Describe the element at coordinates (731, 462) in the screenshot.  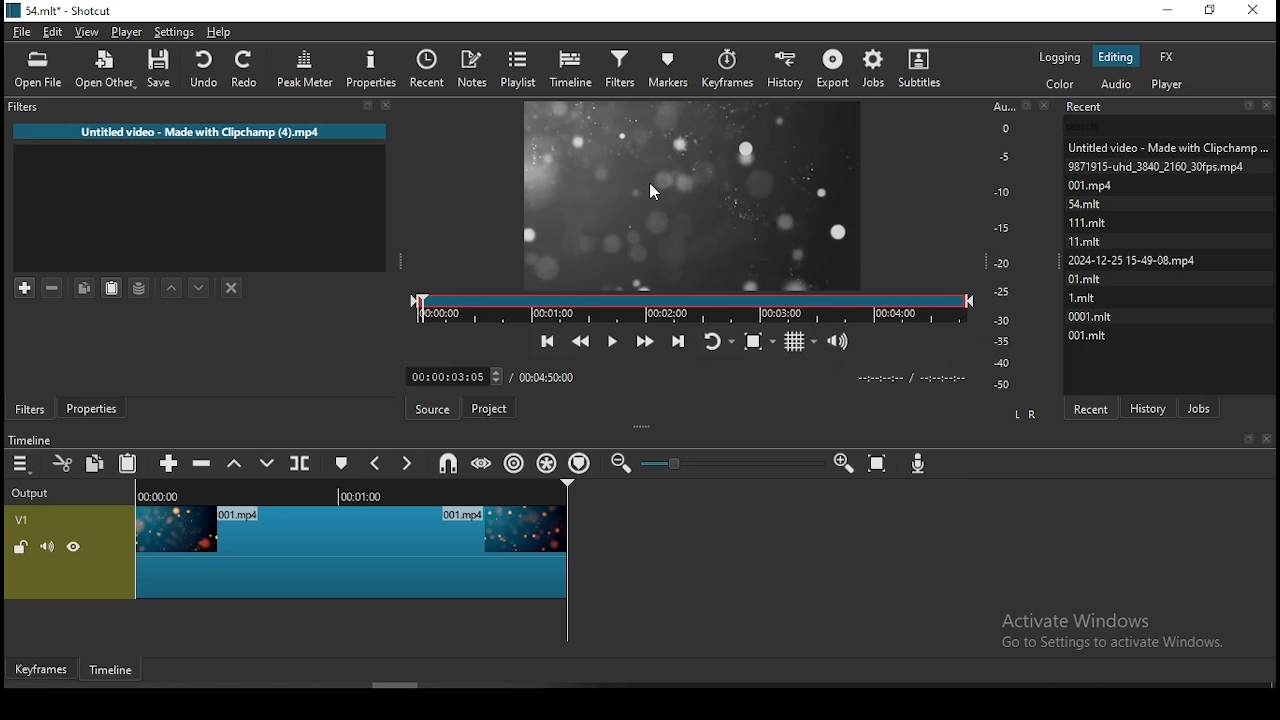
I see `zoom in or zoom out bar` at that location.